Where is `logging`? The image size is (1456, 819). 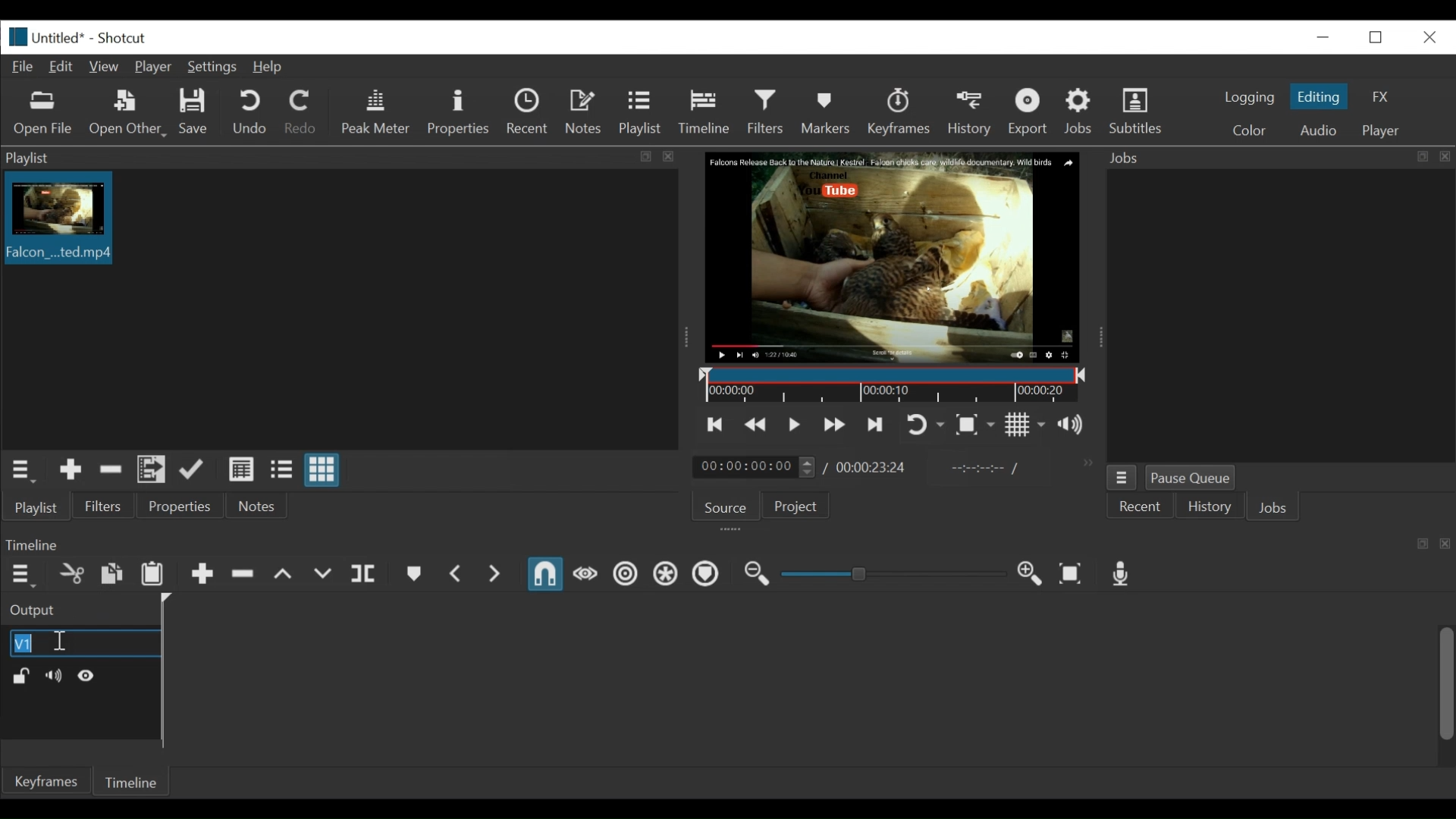 logging is located at coordinates (1250, 99).